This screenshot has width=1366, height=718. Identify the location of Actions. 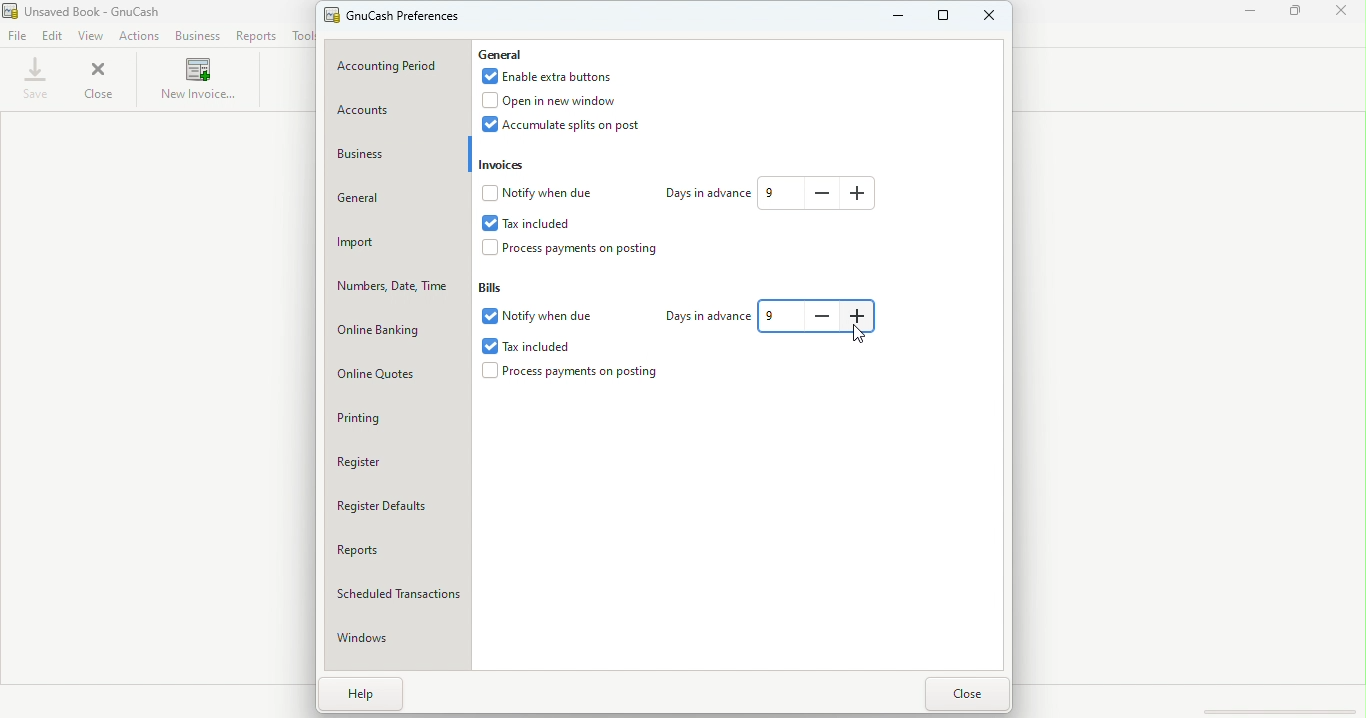
(143, 36).